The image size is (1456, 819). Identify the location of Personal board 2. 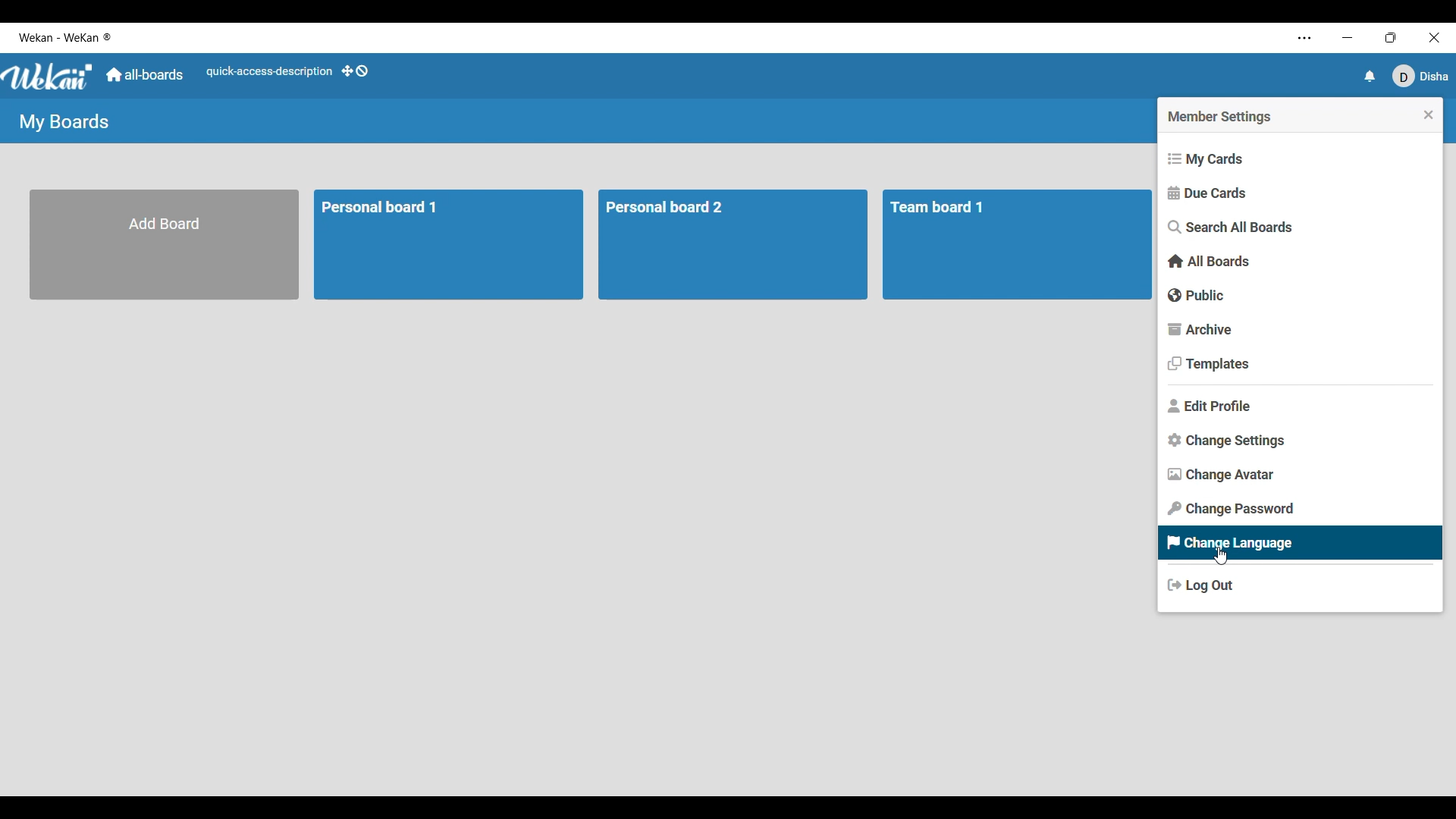
(730, 246).